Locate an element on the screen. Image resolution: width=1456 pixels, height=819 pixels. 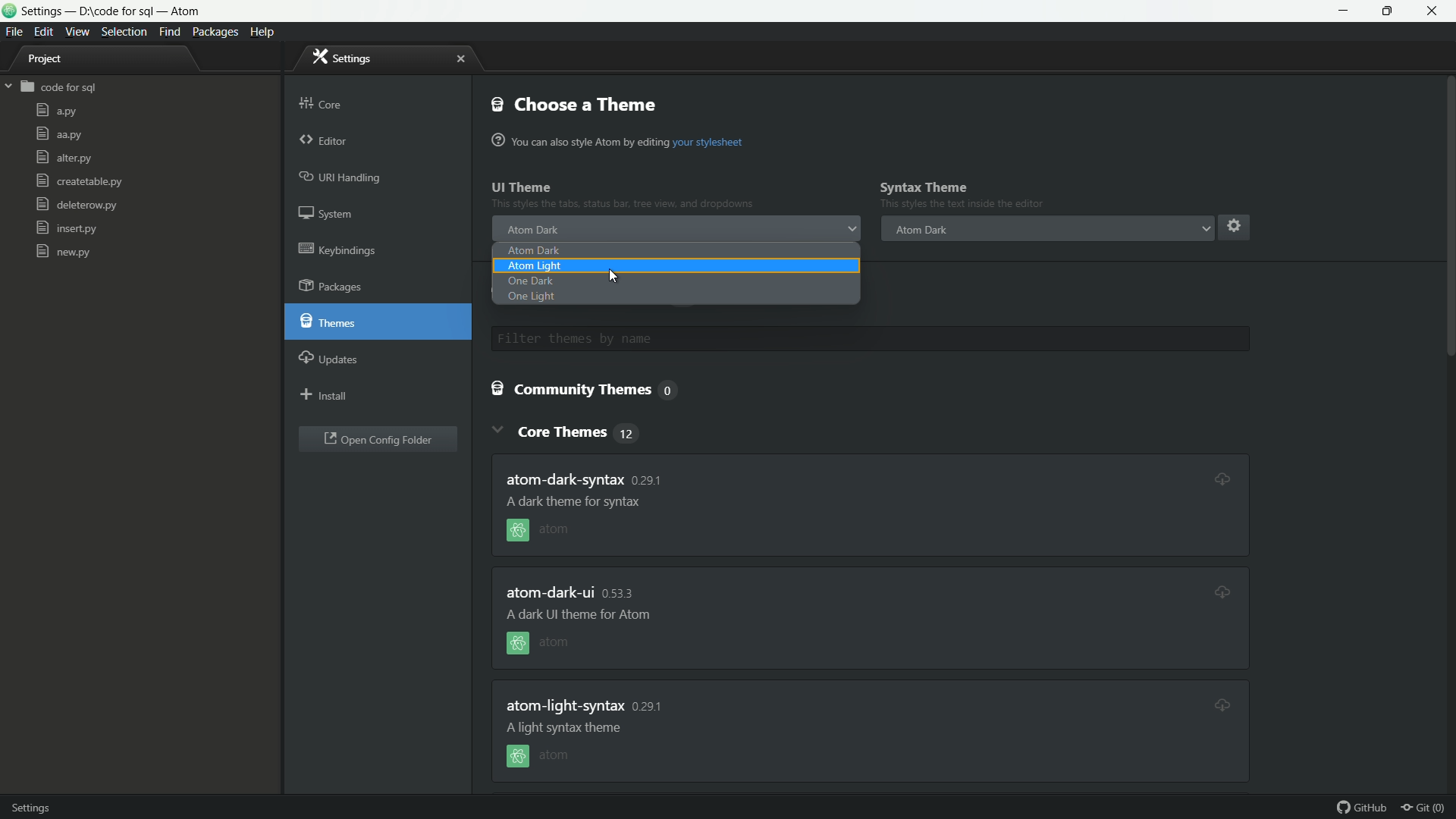
a.py file is located at coordinates (56, 111).